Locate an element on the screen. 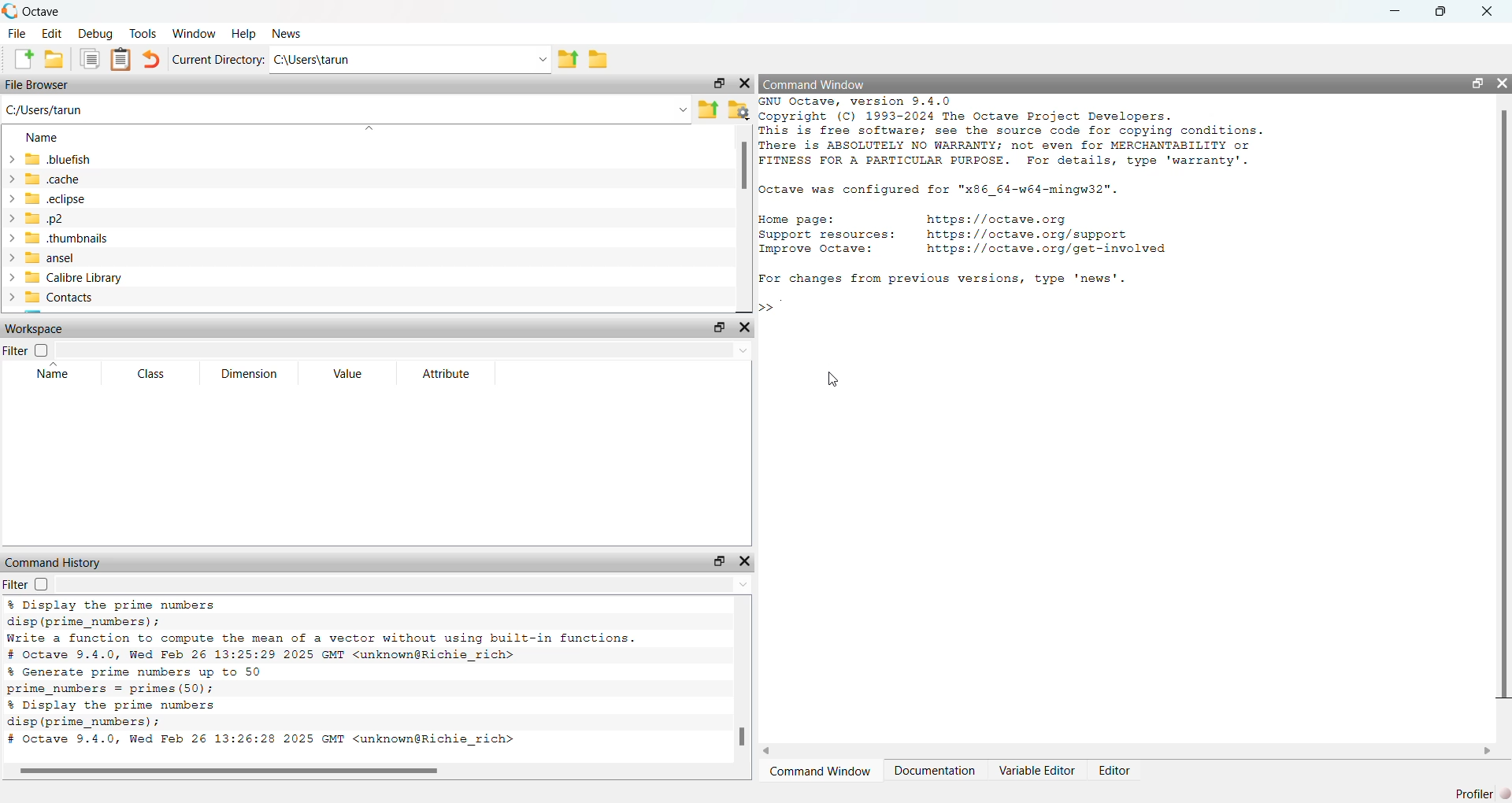 This screenshot has width=1512, height=803. scroll right is located at coordinates (1488, 751).